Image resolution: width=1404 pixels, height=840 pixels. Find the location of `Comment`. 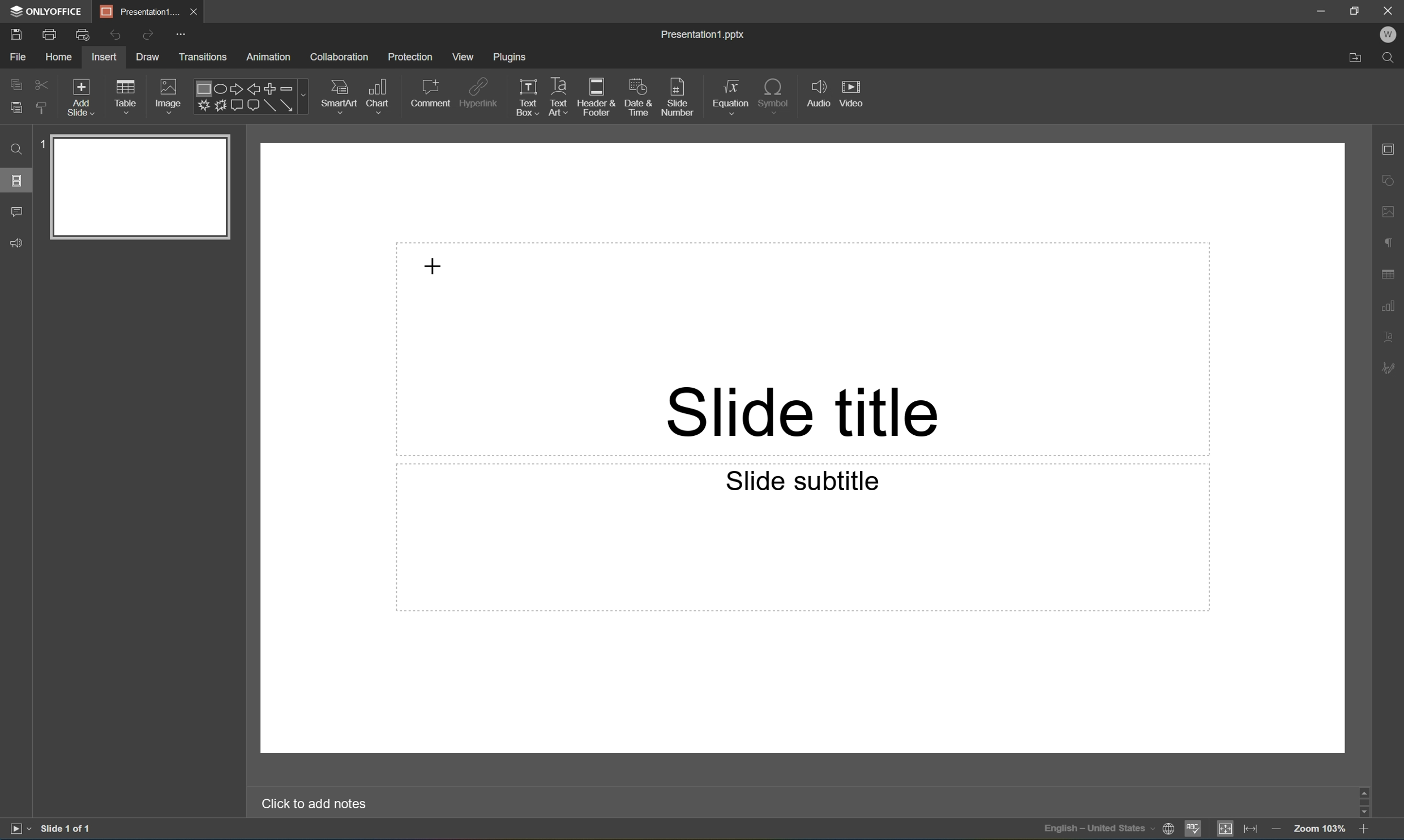

Comment is located at coordinates (18, 213).